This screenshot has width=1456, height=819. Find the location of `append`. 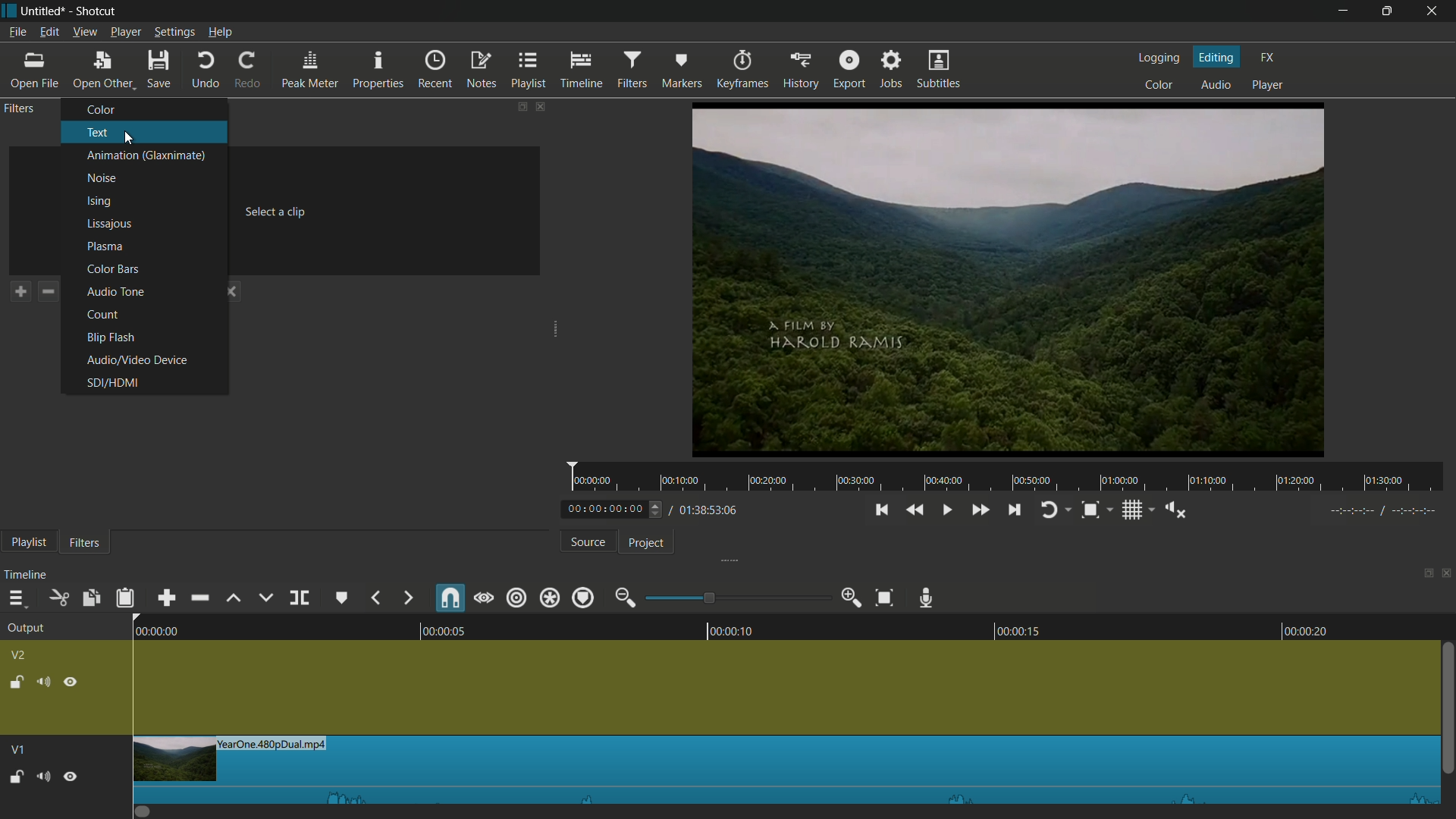

append is located at coordinates (163, 598).